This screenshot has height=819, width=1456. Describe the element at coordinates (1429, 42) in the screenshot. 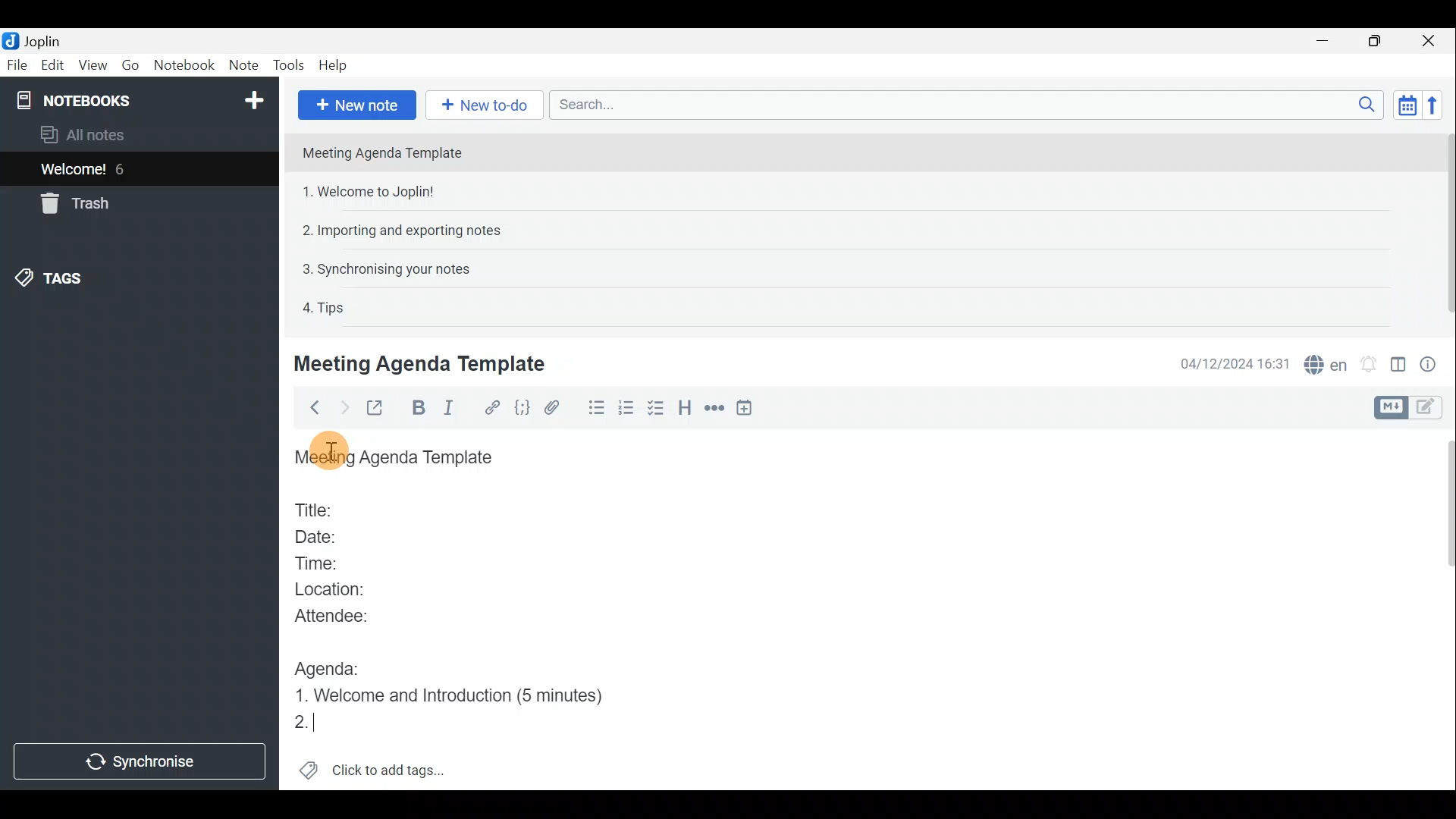

I see `Close` at that location.